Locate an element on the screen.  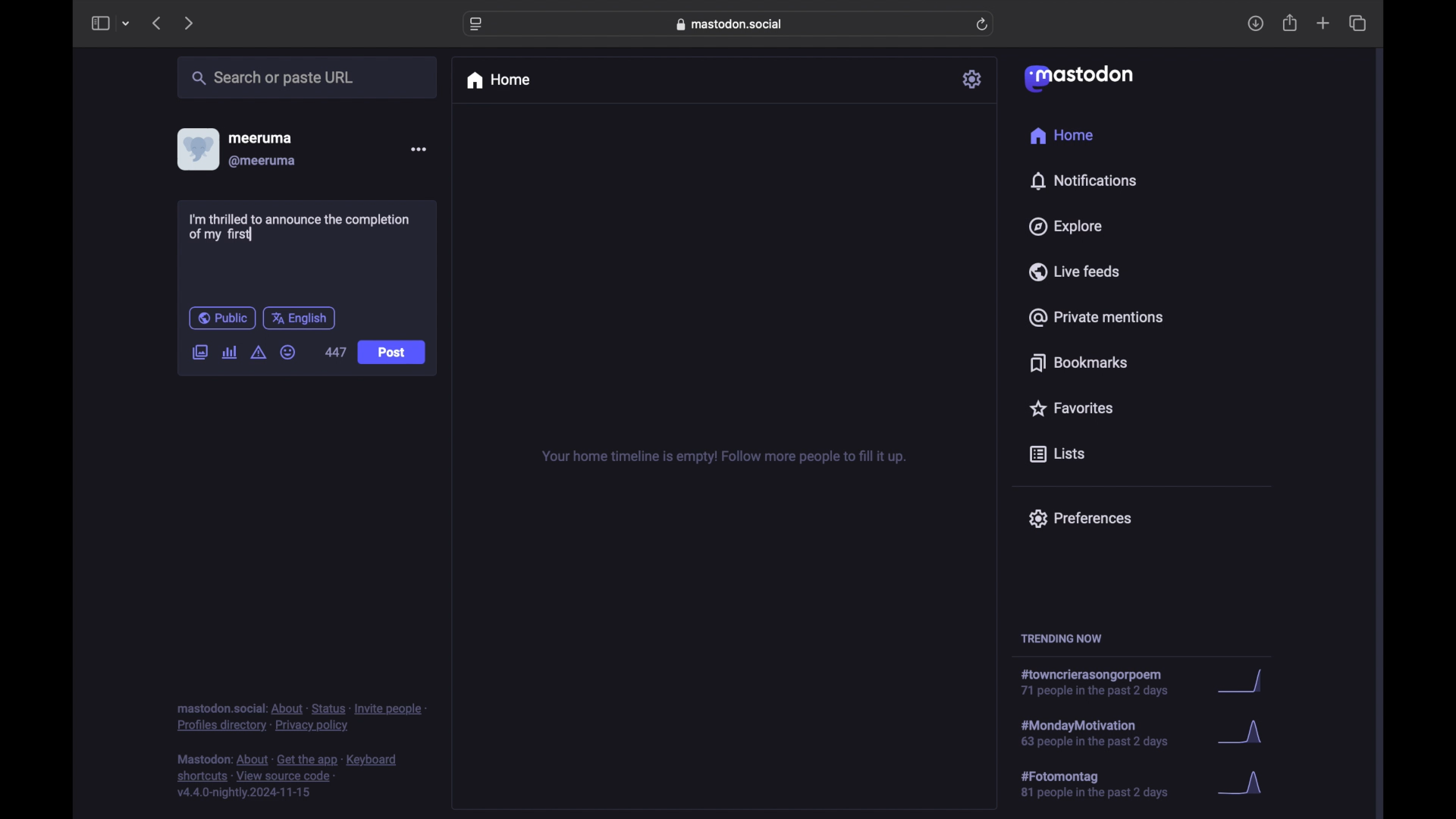
meeruma is located at coordinates (260, 138).